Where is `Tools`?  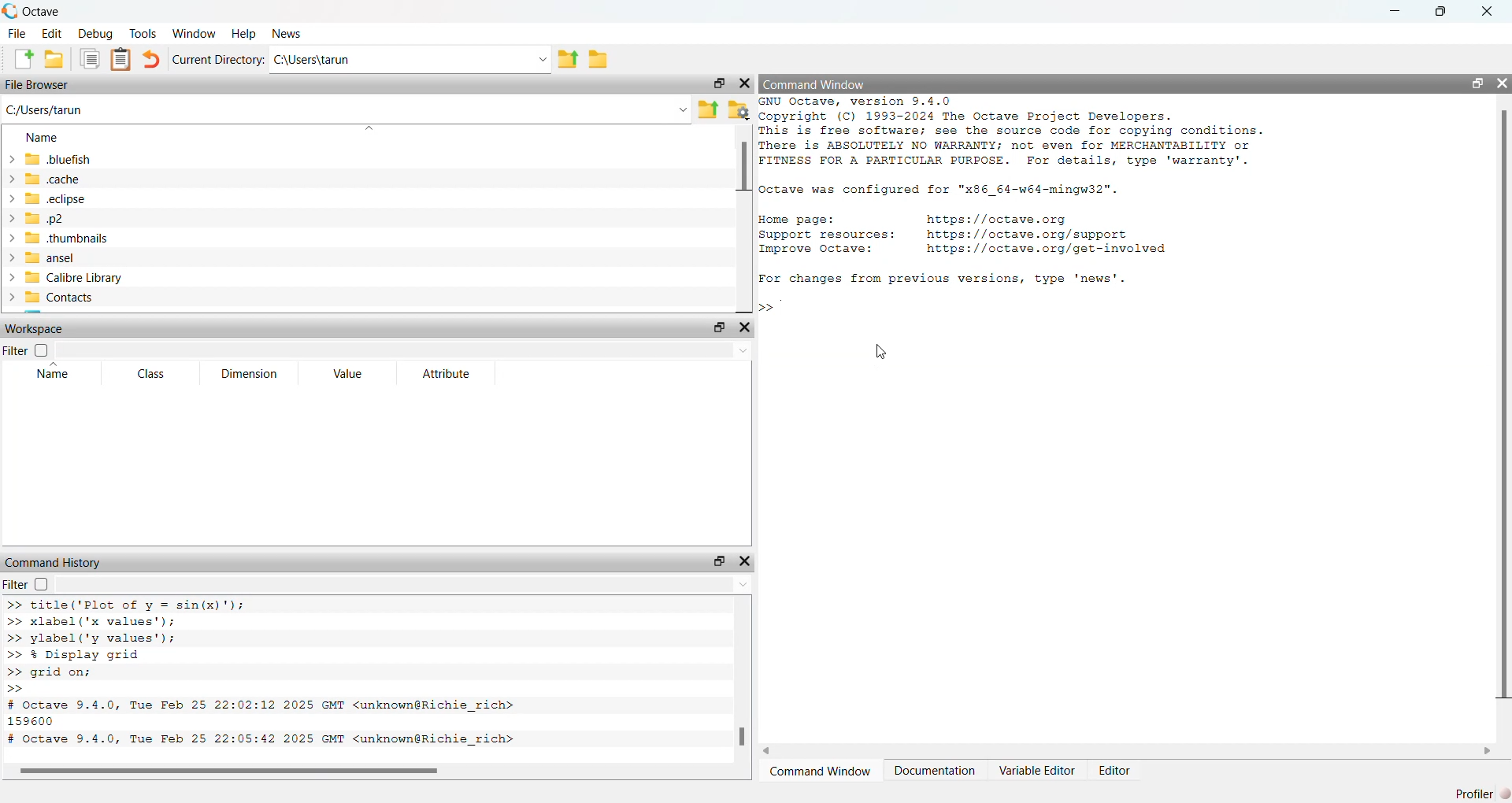 Tools is located at coordinates (142, 34).